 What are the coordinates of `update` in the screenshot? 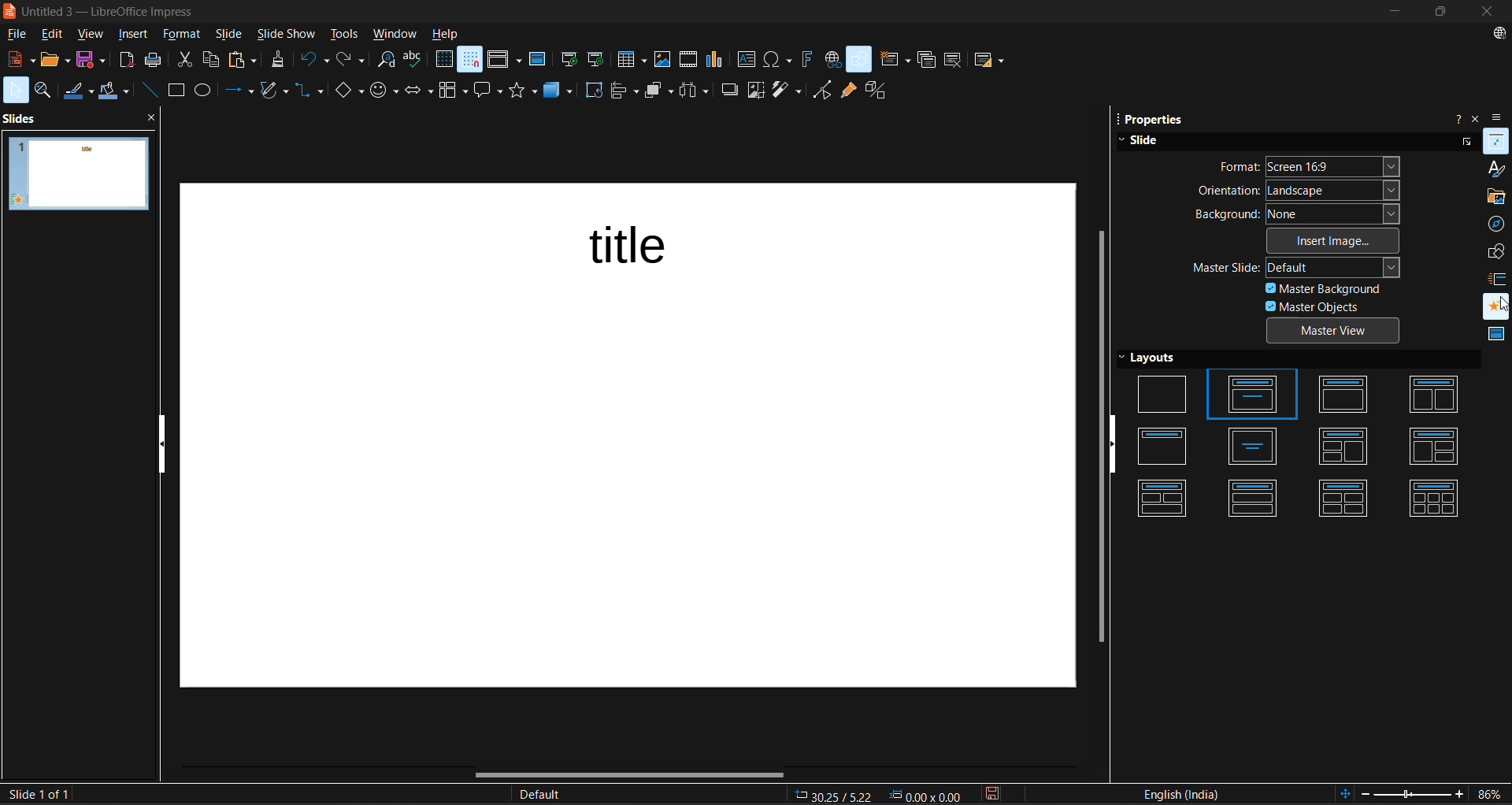 It's located at (1502, 35).